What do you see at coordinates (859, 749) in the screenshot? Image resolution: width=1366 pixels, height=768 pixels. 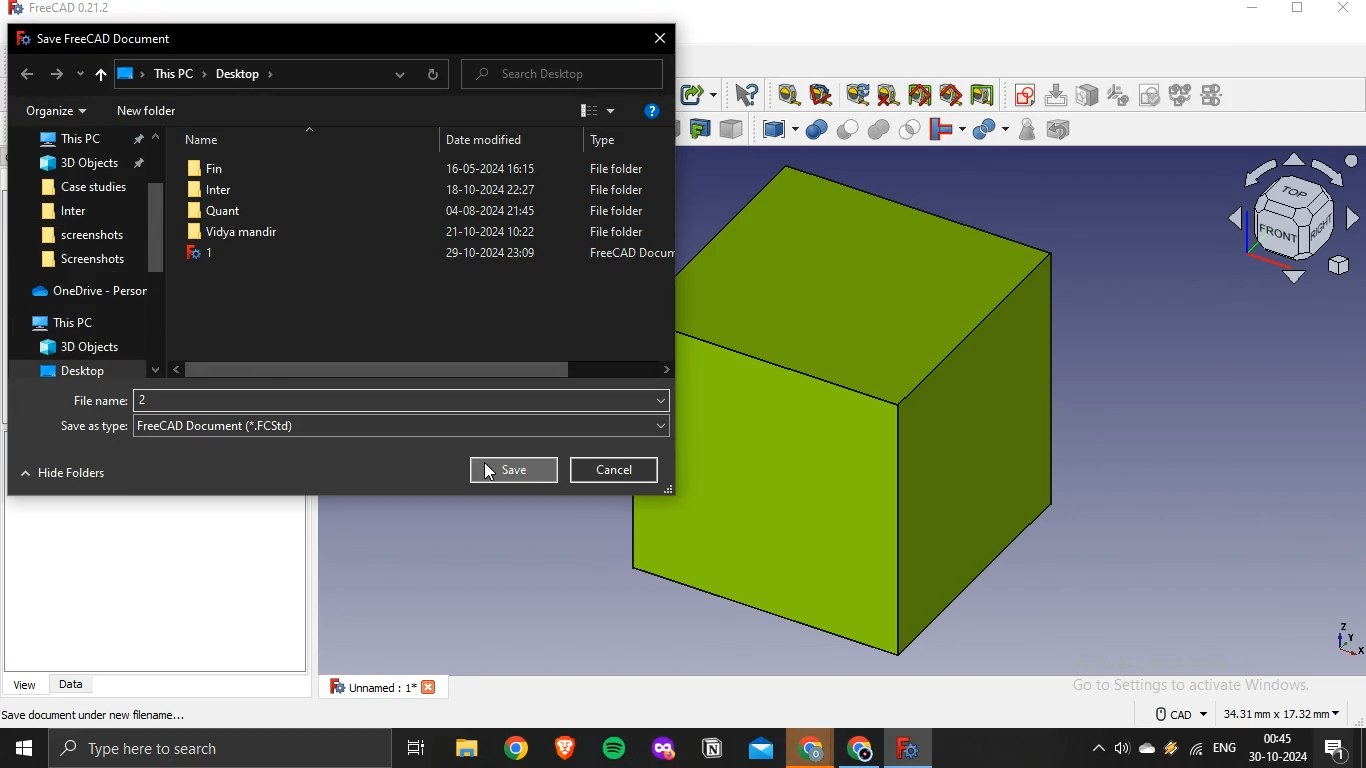 I see `google chrome` at bounding box center [859, 749].